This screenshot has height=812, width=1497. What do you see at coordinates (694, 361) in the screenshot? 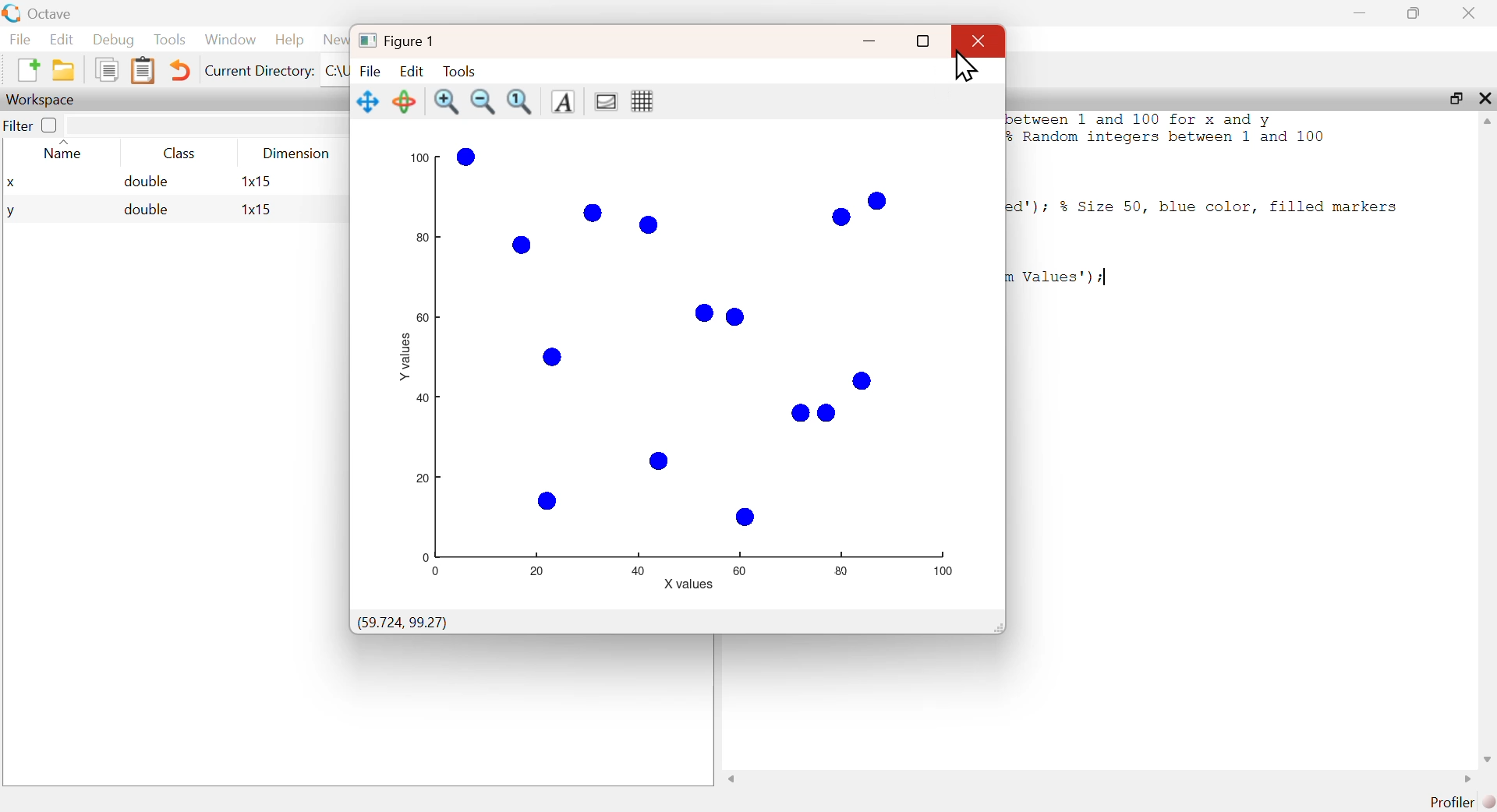
I see `Graph` at bounding box center [694, 361].